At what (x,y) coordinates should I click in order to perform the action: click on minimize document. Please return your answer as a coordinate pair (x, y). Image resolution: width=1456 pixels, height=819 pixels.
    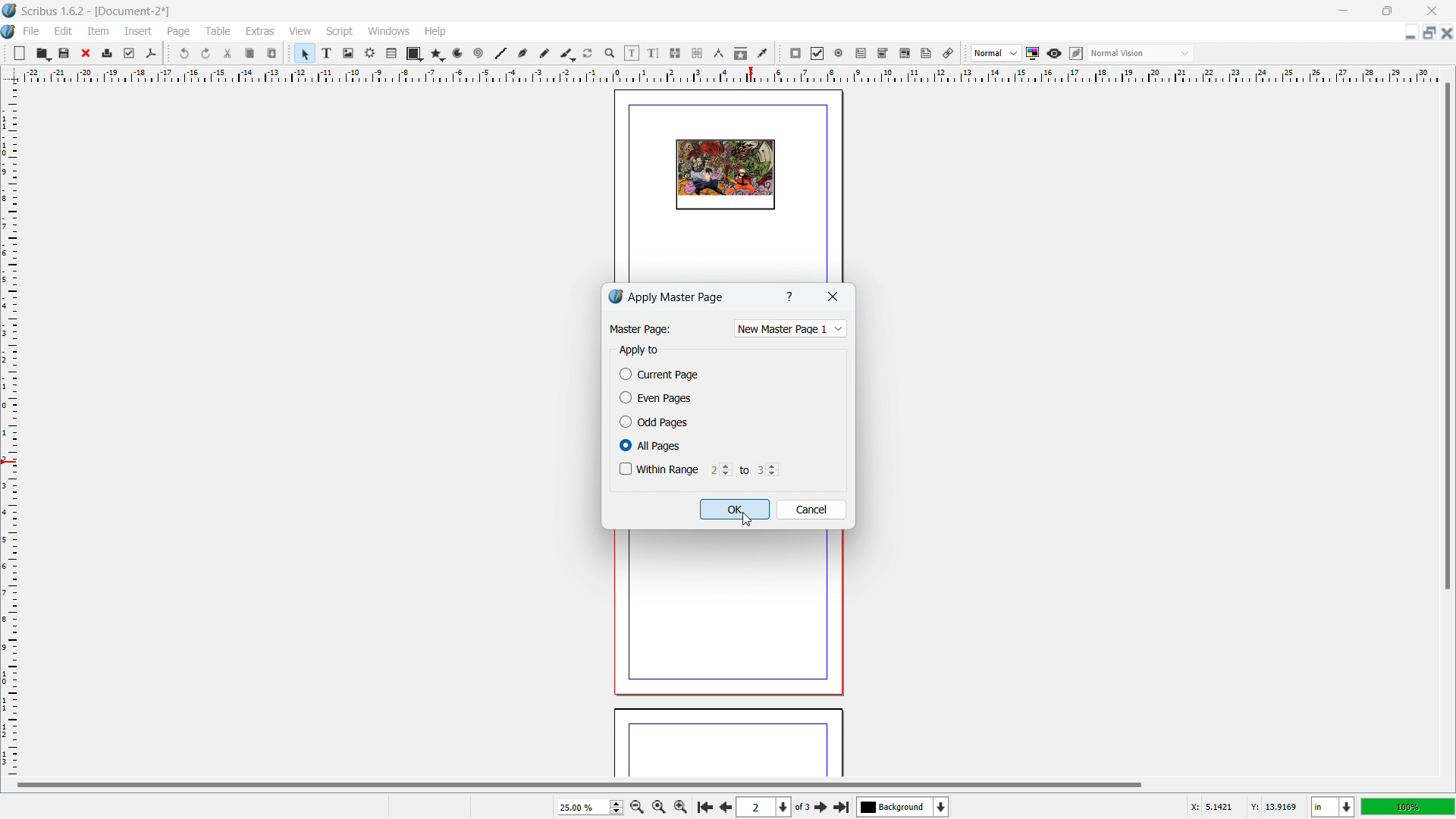
    Looking at the image, I should click on (1408, 34).